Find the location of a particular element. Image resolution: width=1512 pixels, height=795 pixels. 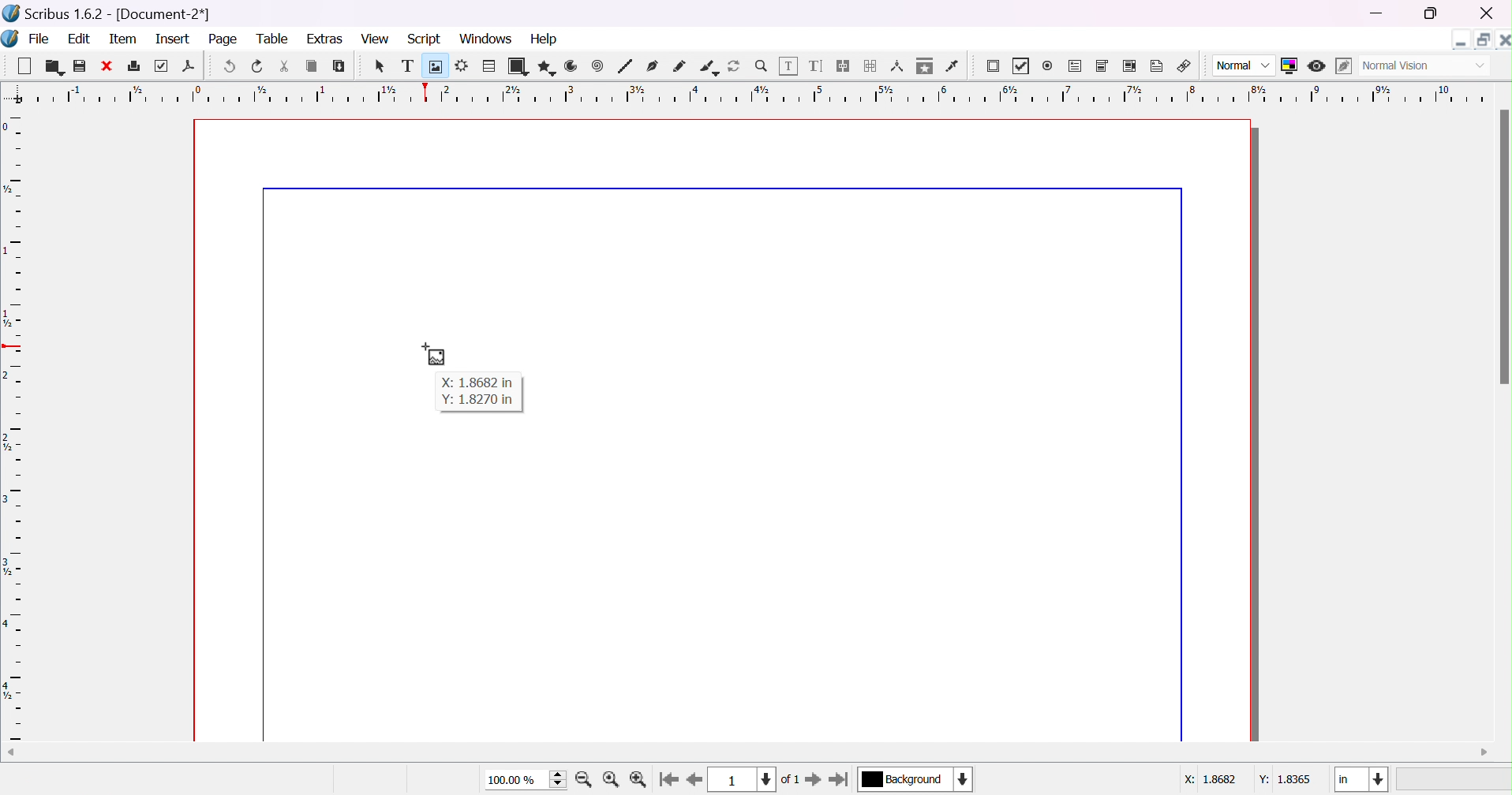

copy item properties is located at coordinates (924, 65).